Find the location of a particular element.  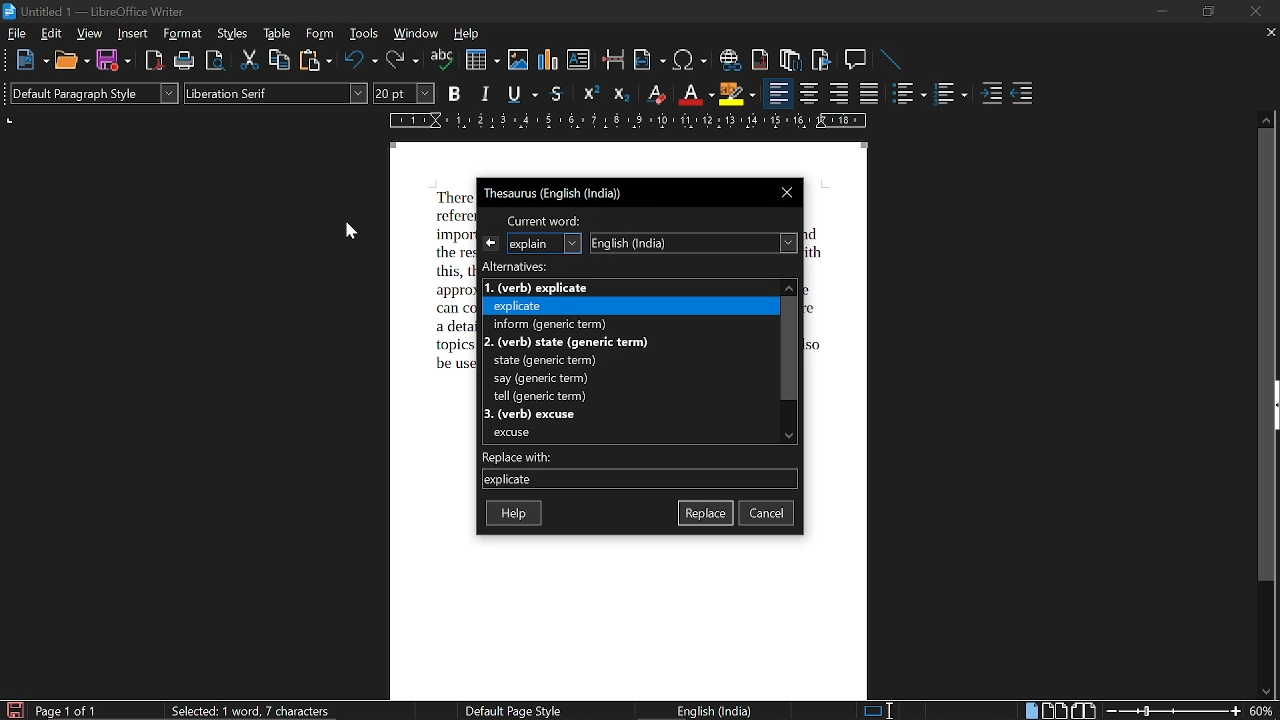

Thesaurus (English (India)) is located at coordinates (552, 194).